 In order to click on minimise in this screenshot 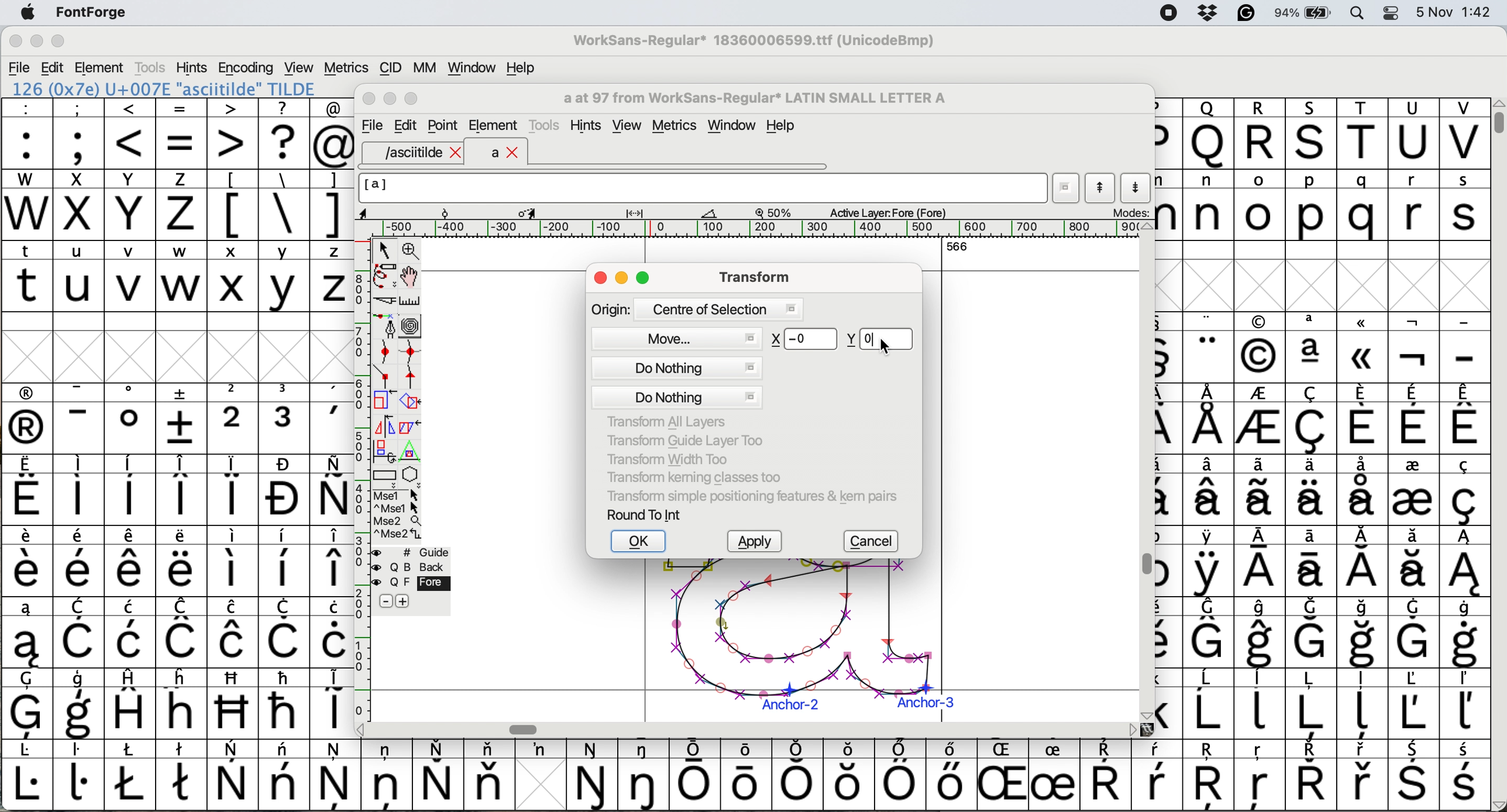, I will do `click(35, 42)`.